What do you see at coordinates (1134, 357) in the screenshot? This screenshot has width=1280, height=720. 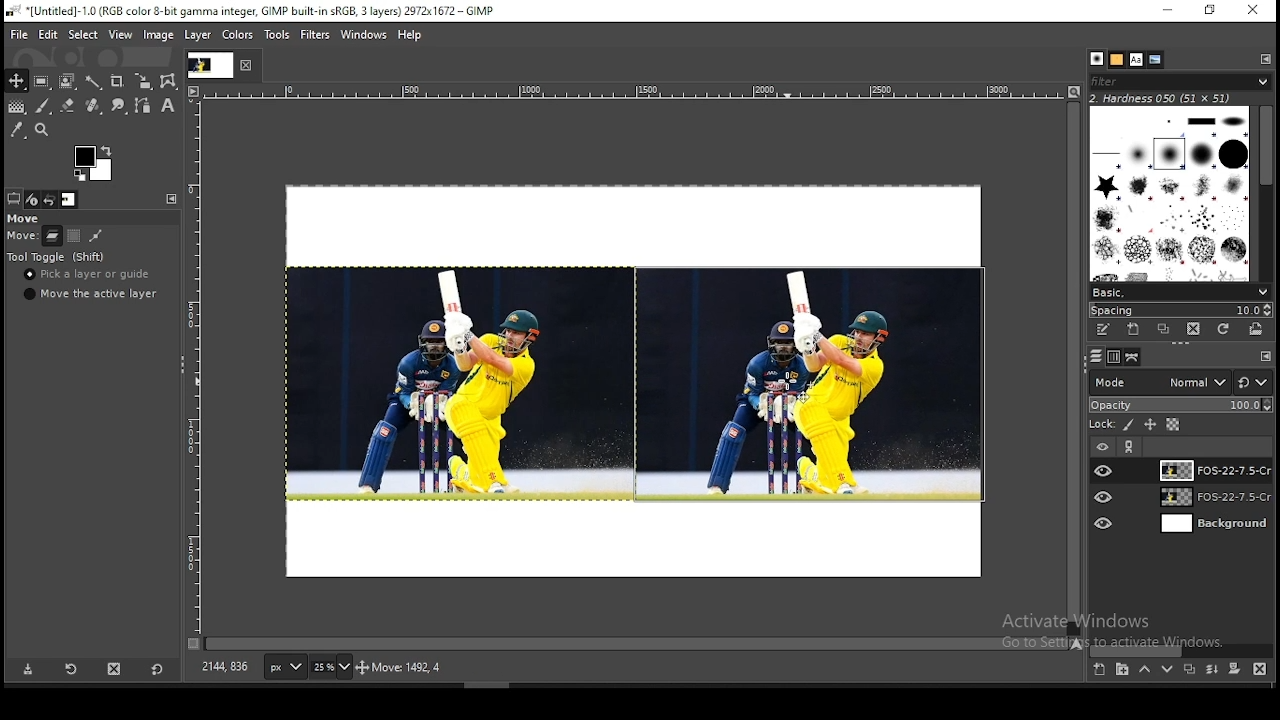 I see `paths` at bounding box center [1134, 357].